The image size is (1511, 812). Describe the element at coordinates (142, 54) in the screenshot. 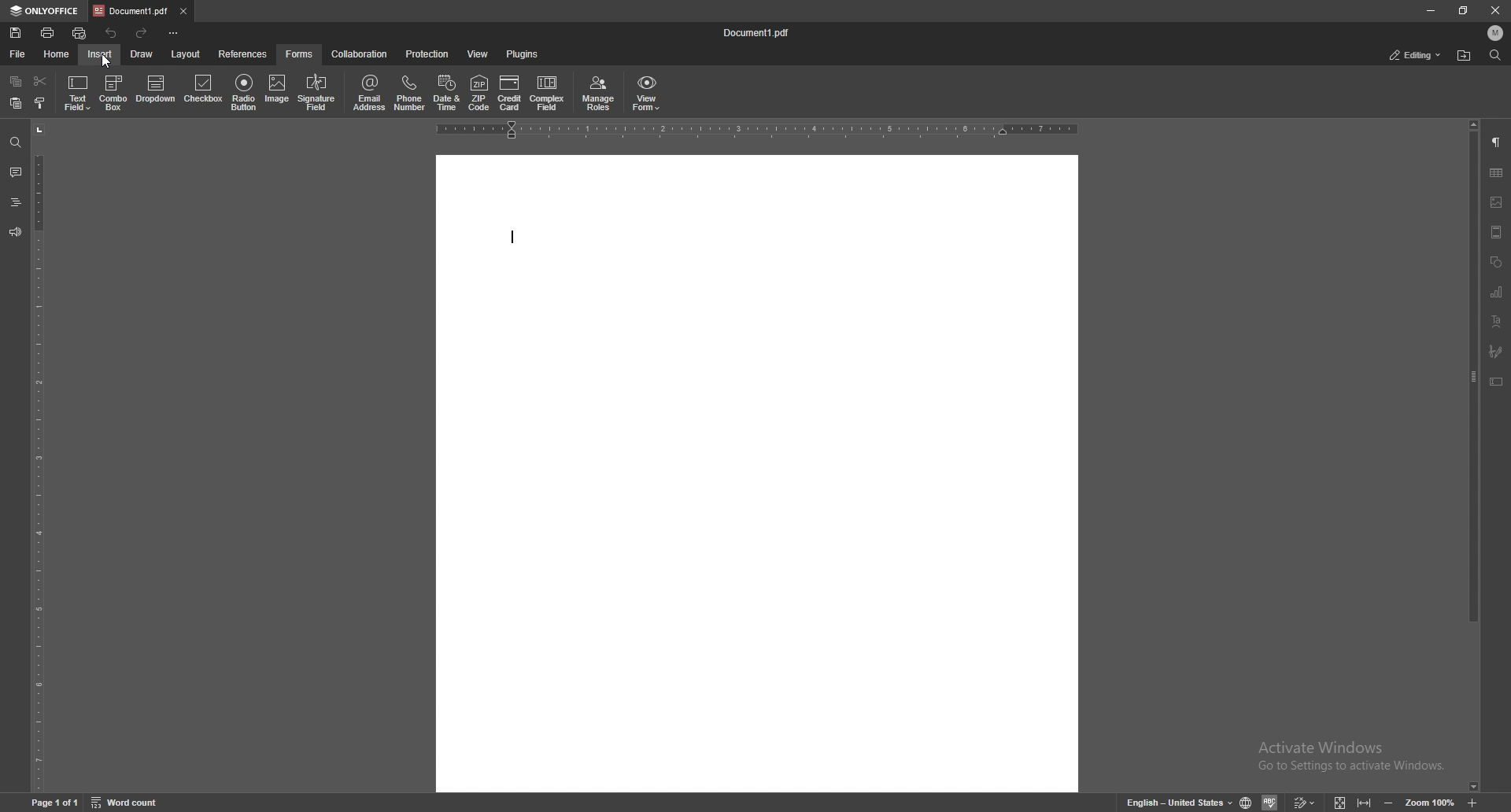

I see `draw` at that location.